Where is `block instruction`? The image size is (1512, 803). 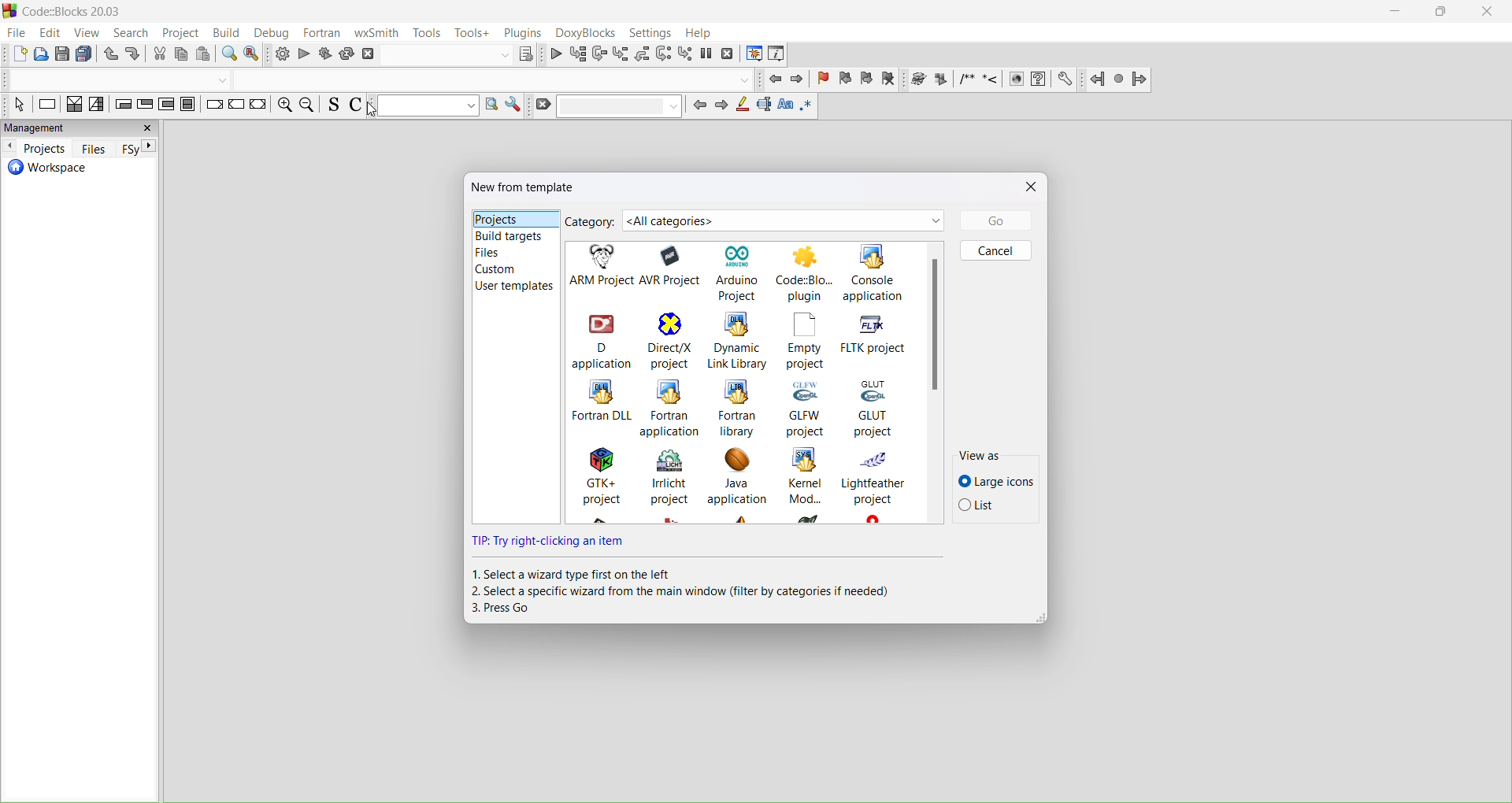
block instruction is located at coordinates (189, 107).